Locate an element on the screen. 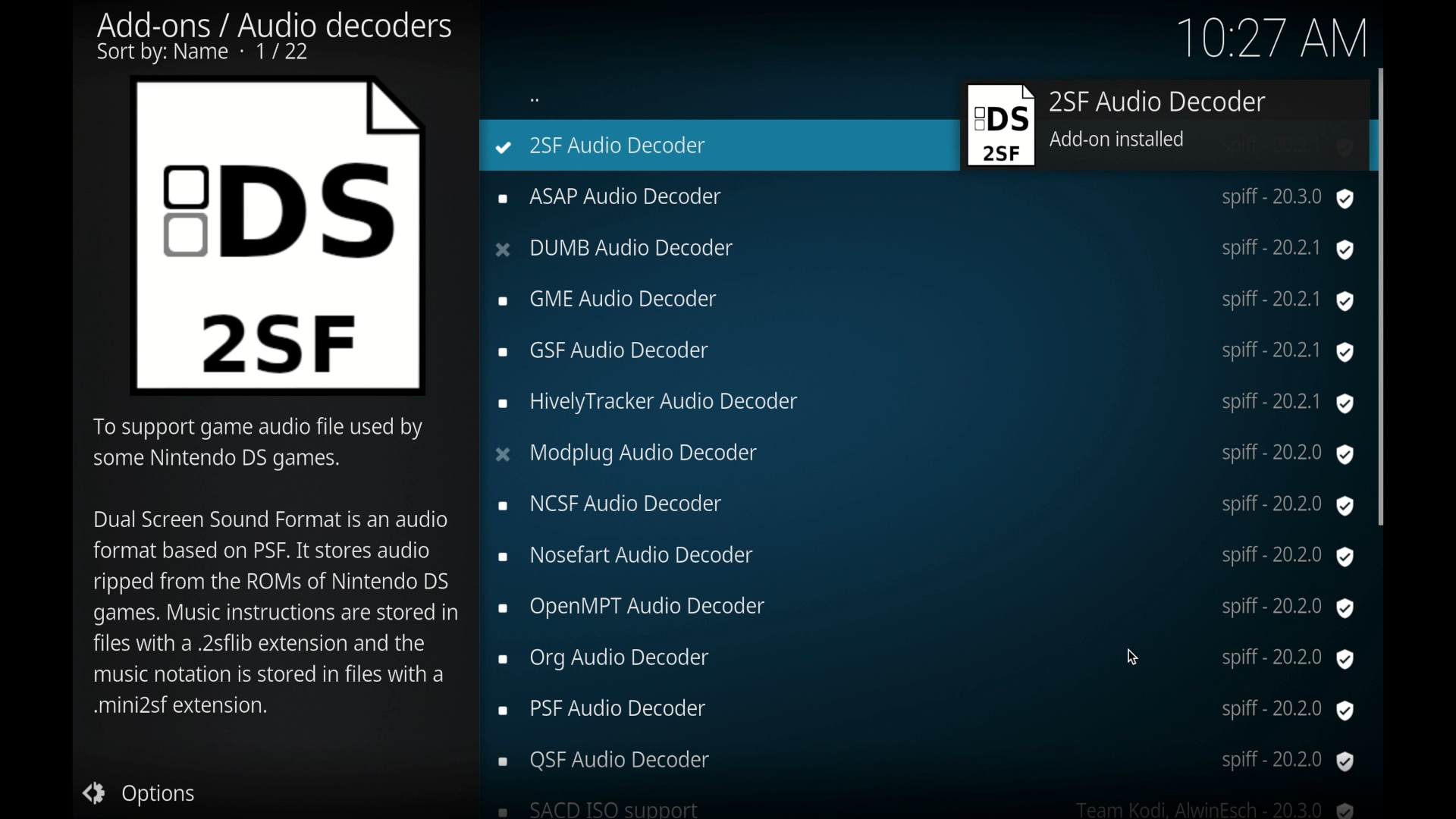 The height and width of the screenshot is (819, 1456). asap audio decoder is located at coordinates (924, 199).